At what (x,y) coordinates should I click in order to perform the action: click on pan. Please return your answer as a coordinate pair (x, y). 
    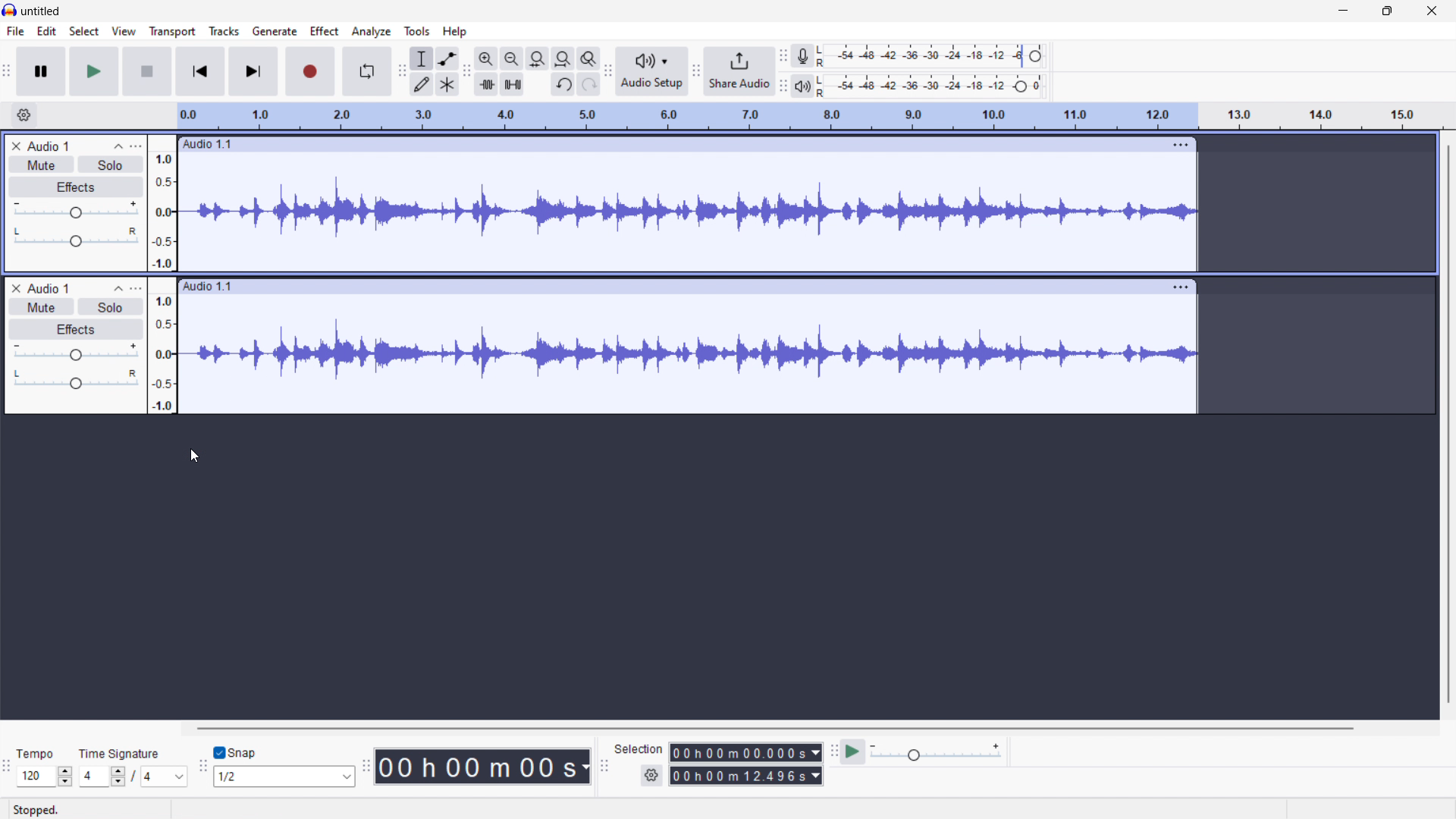
    Looking at the image, I should click on (75, 238).